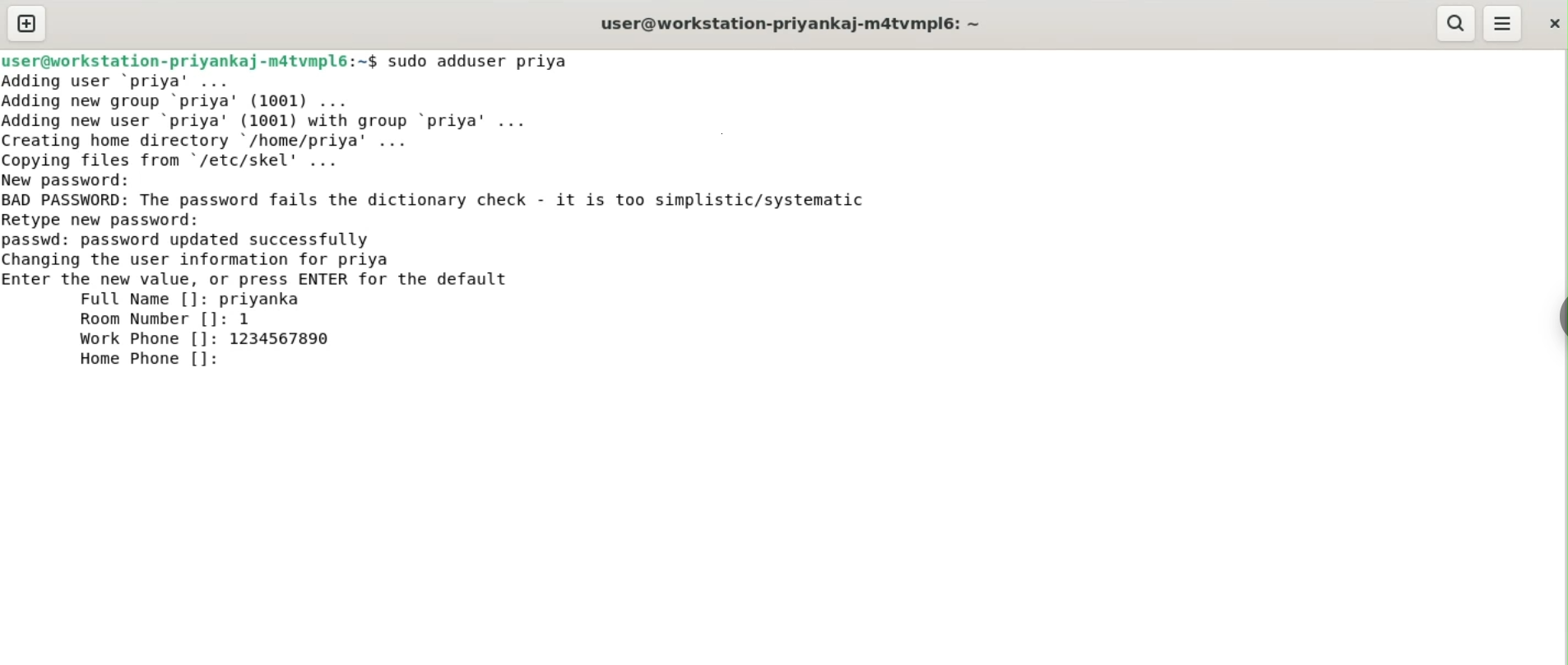  Describe the element at coordinates (141, 341) in the screenshot. I see `work phone []:` at that location.